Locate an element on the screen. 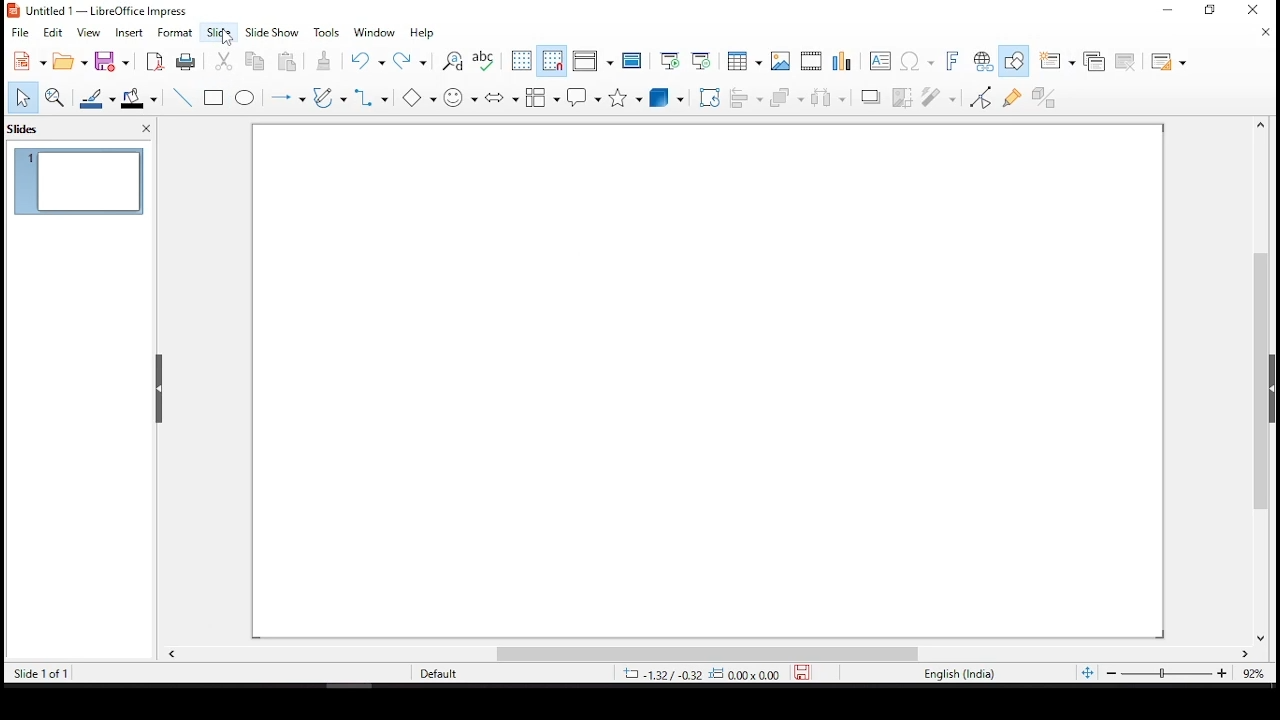 This screenshot has width=1280, height=720.  is located at coordinates (779, 63).